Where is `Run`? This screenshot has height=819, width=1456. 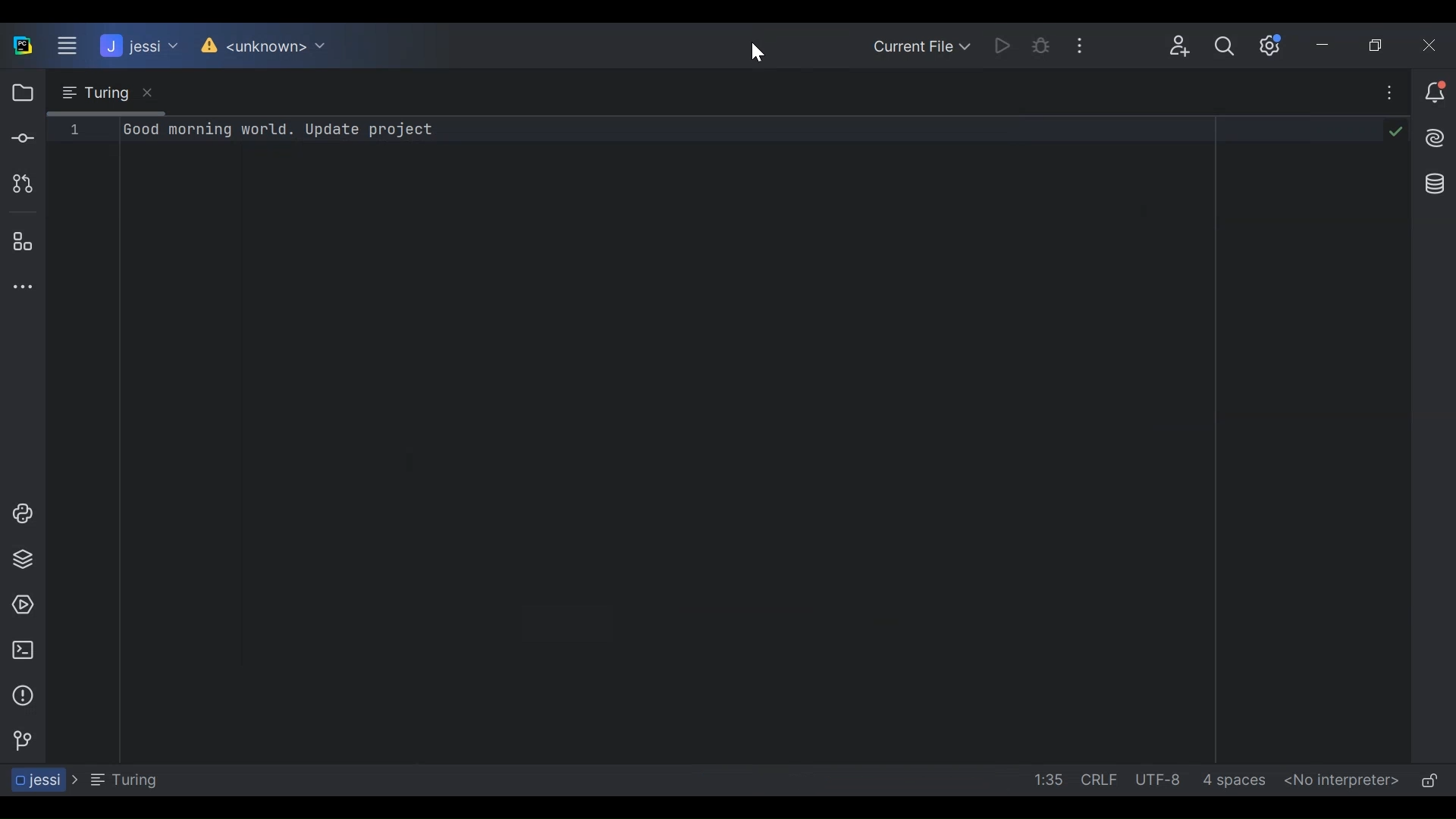 Run is located at coordinates (1007, 45).